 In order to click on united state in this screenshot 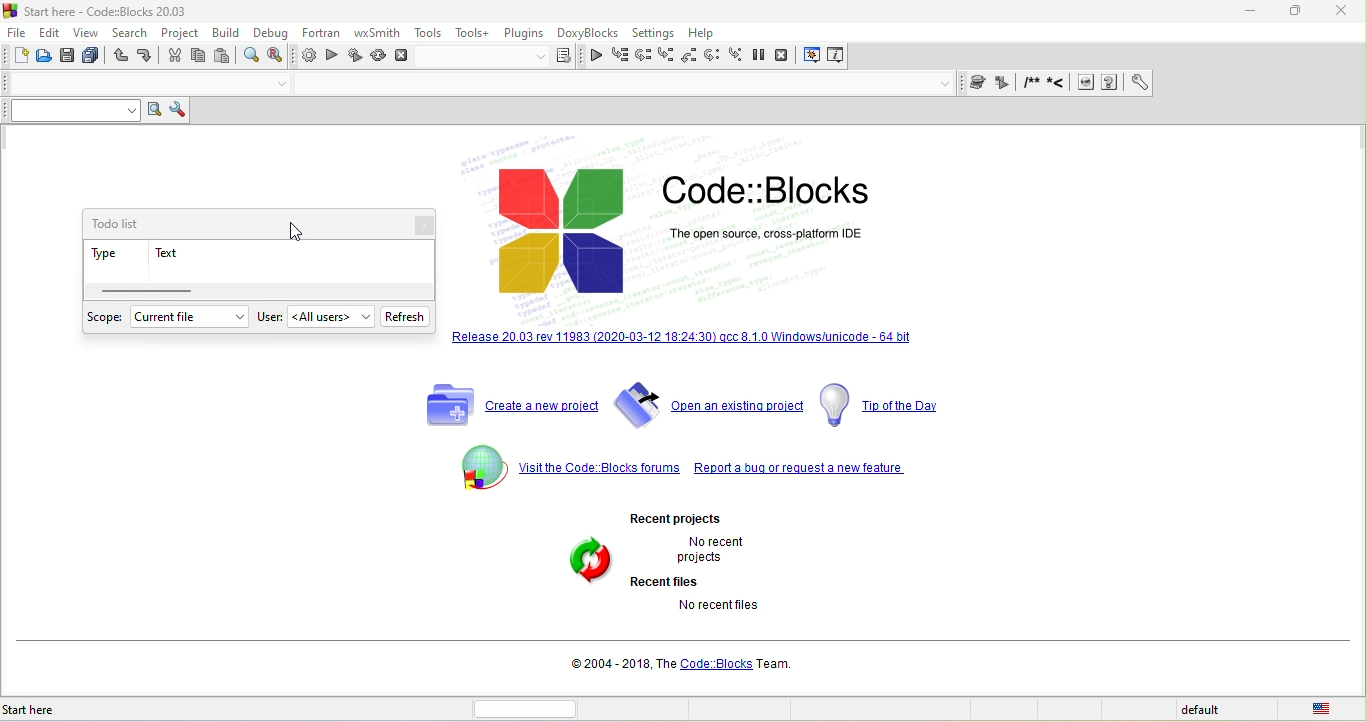, I will do `click(1326, 708)`.